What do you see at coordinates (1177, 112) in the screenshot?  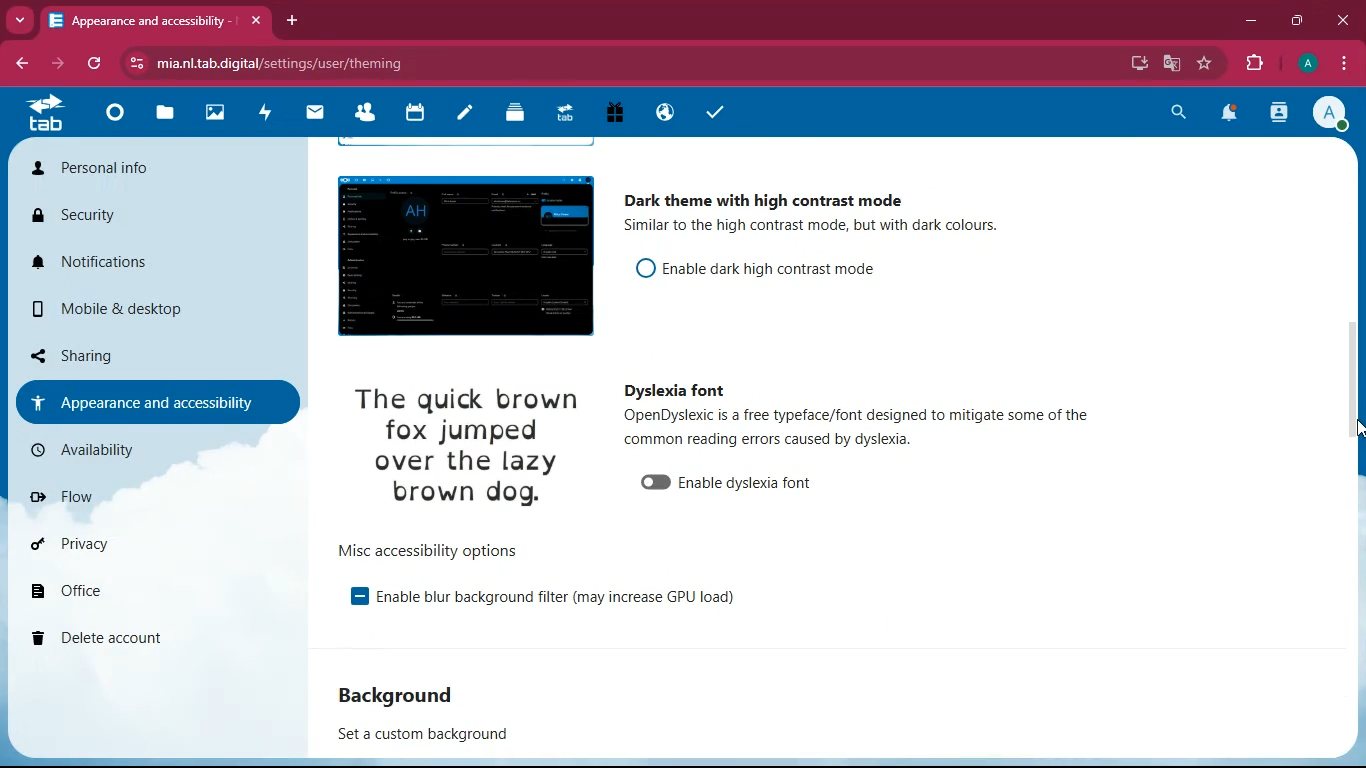 I see `search` at bounding box center [1177, 112].